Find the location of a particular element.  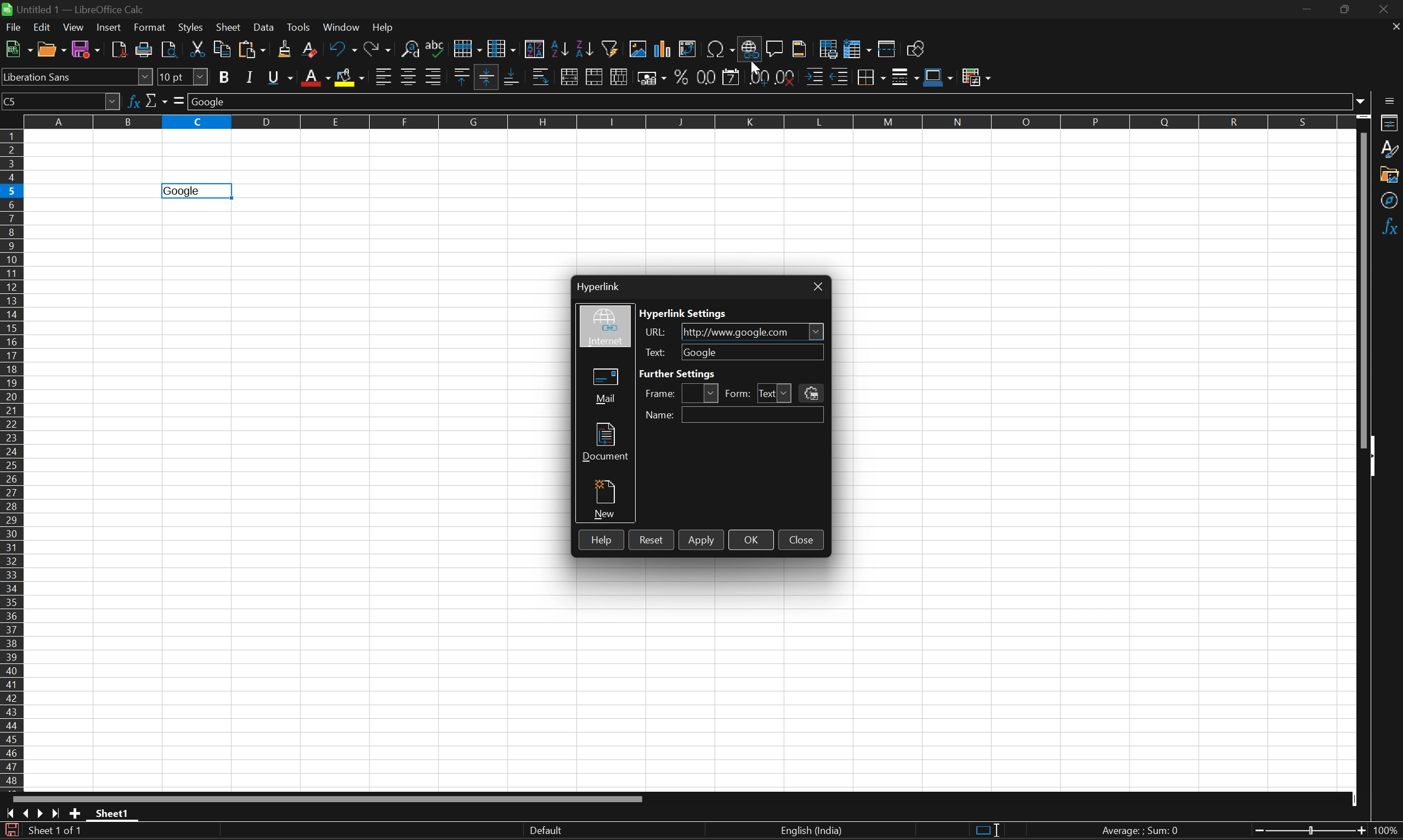

Windows is located at coordinates (341, 27).